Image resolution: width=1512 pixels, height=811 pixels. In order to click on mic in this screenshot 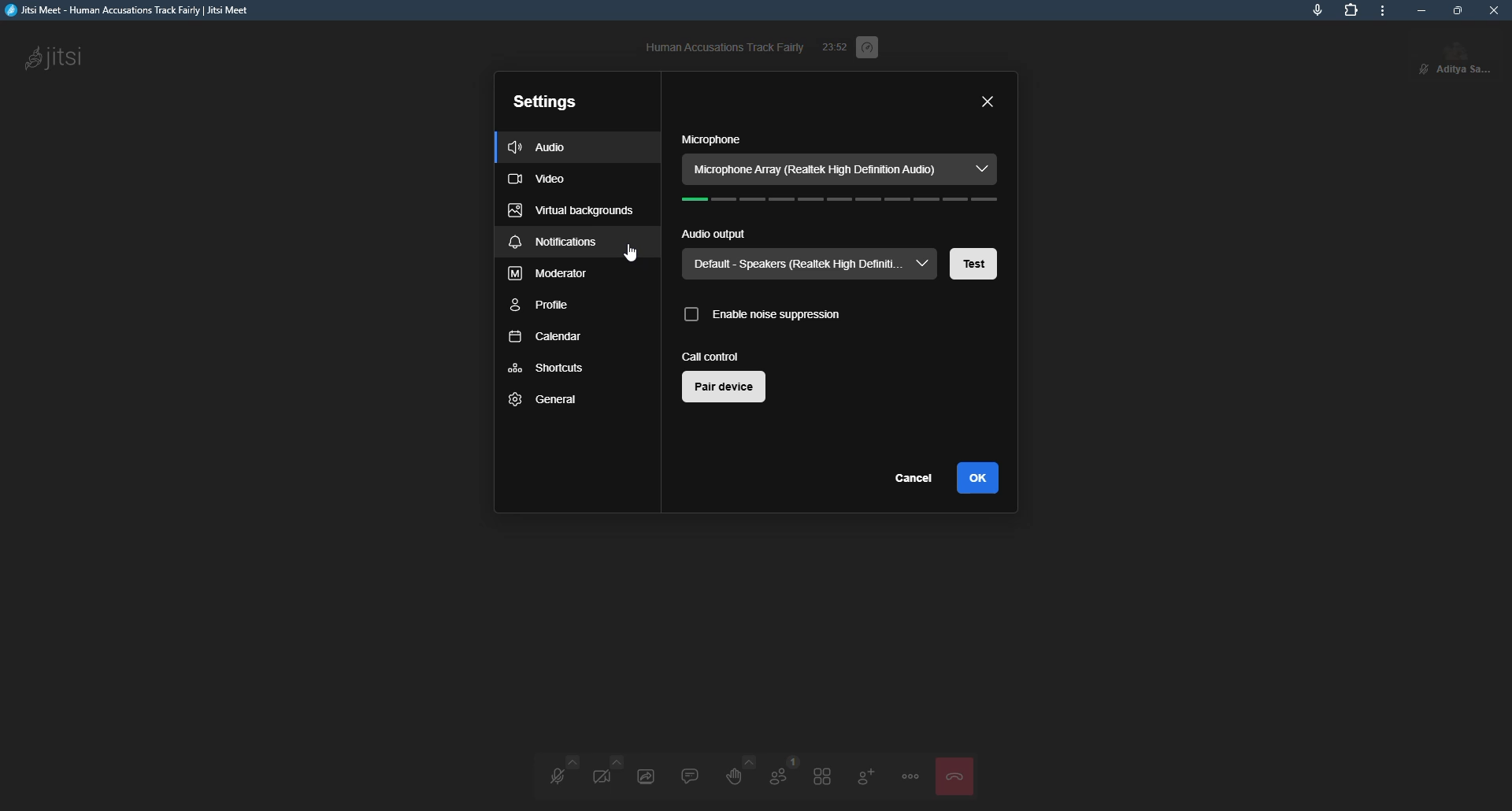, I will do `click(1317, 11)`.